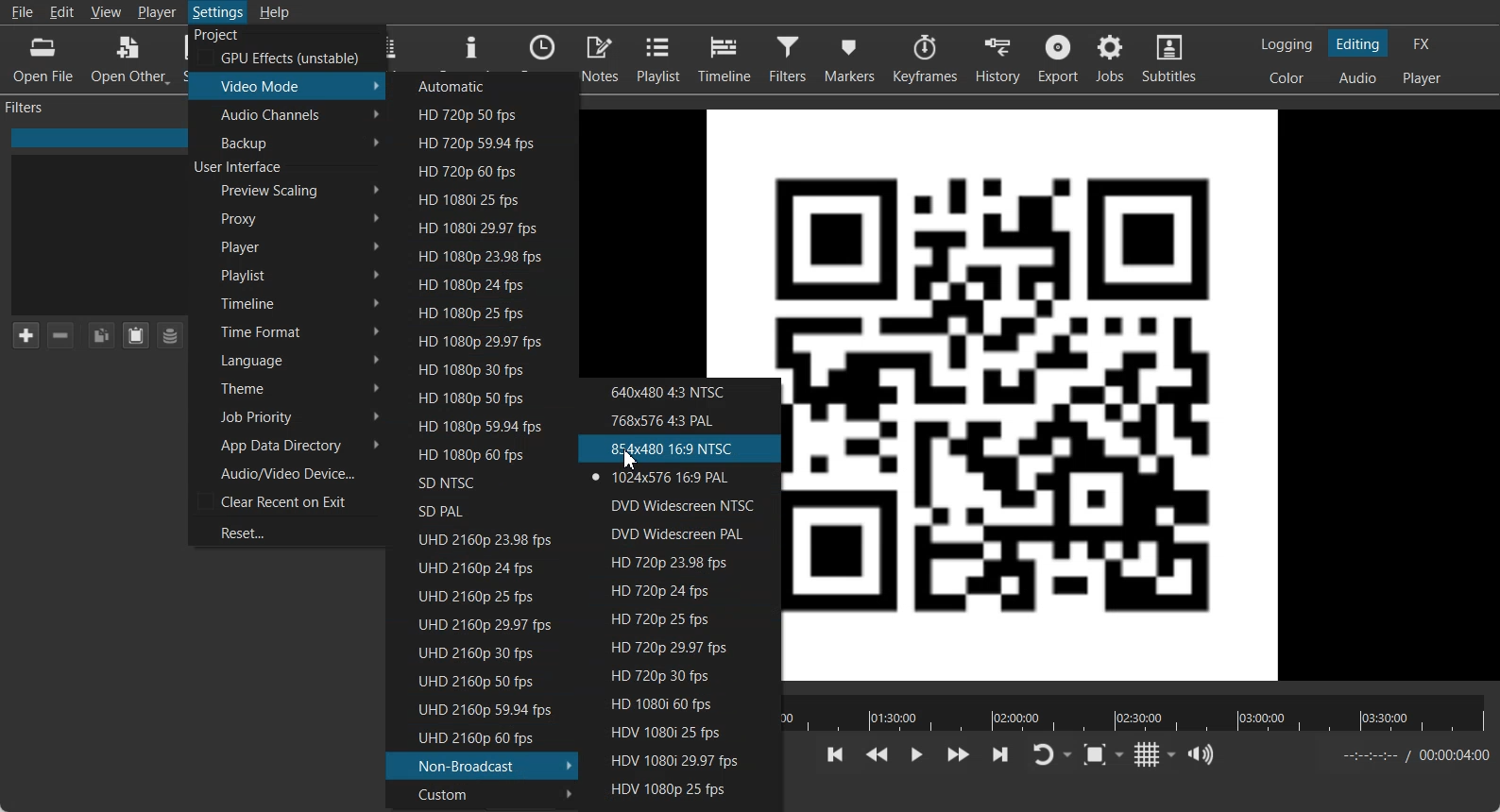 This screenshot has height=812, width=1500. Describe the element at coordinates (474, 651) in the screenshot. I see `UHD 2160p 30 fps` at that location.